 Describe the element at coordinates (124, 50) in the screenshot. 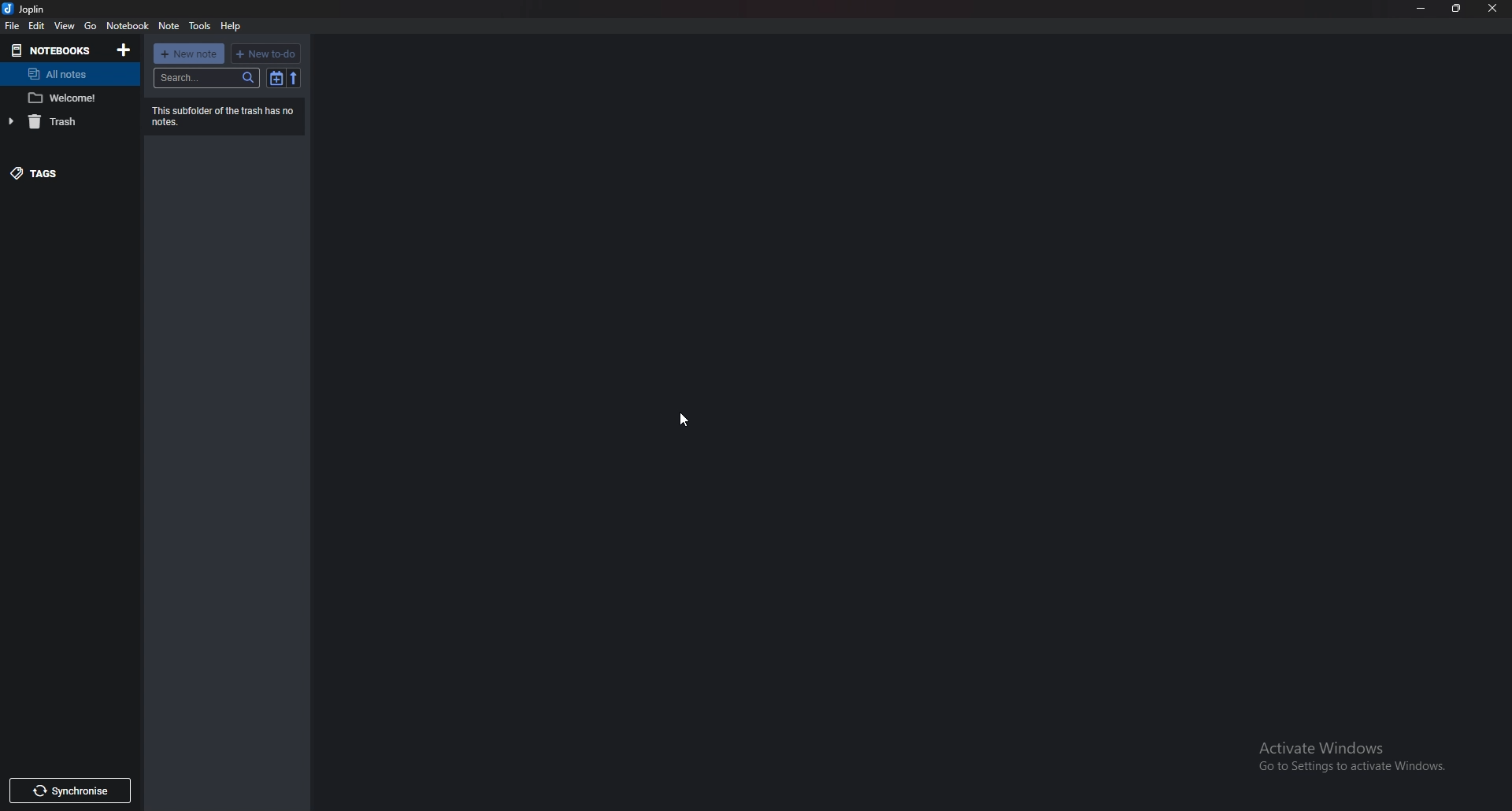

I see `Add notebooks` at that location.